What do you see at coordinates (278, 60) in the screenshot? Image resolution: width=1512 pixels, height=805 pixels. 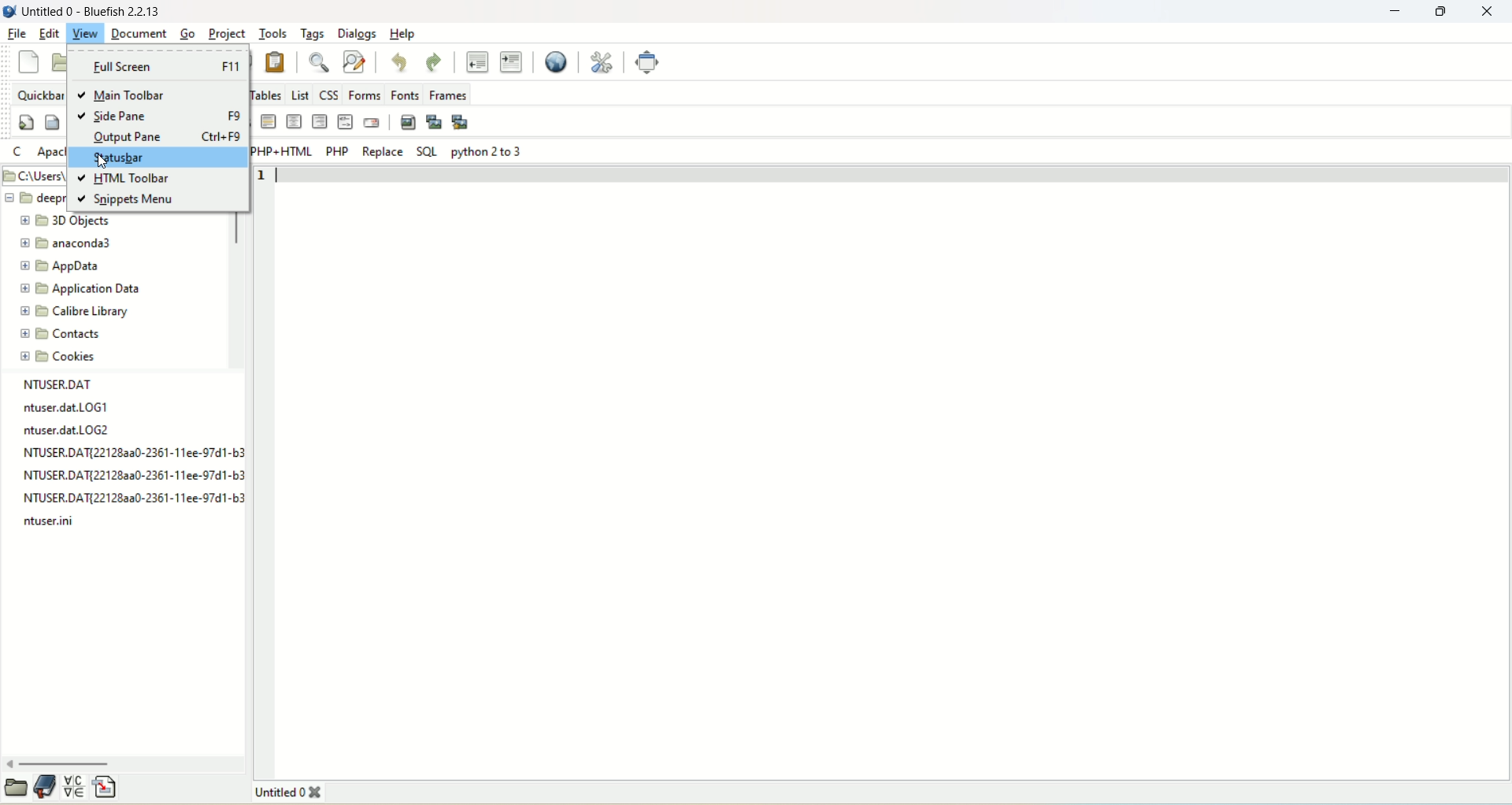 I see `paste` at bounding box center [278, 60].